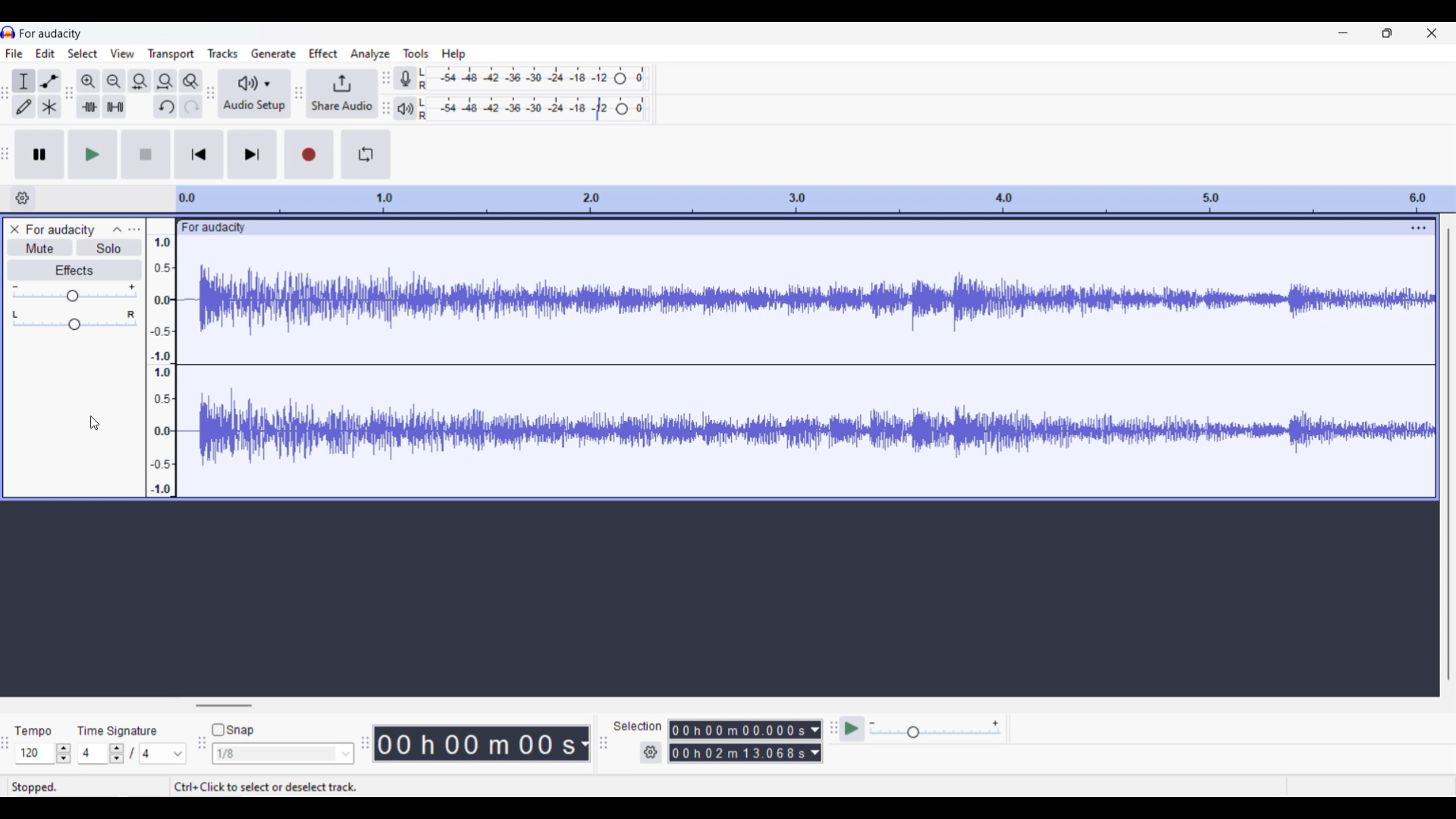 The height and width of the screenshot is (819, 1456). I want to click on Enable looping, so click(366, 154).